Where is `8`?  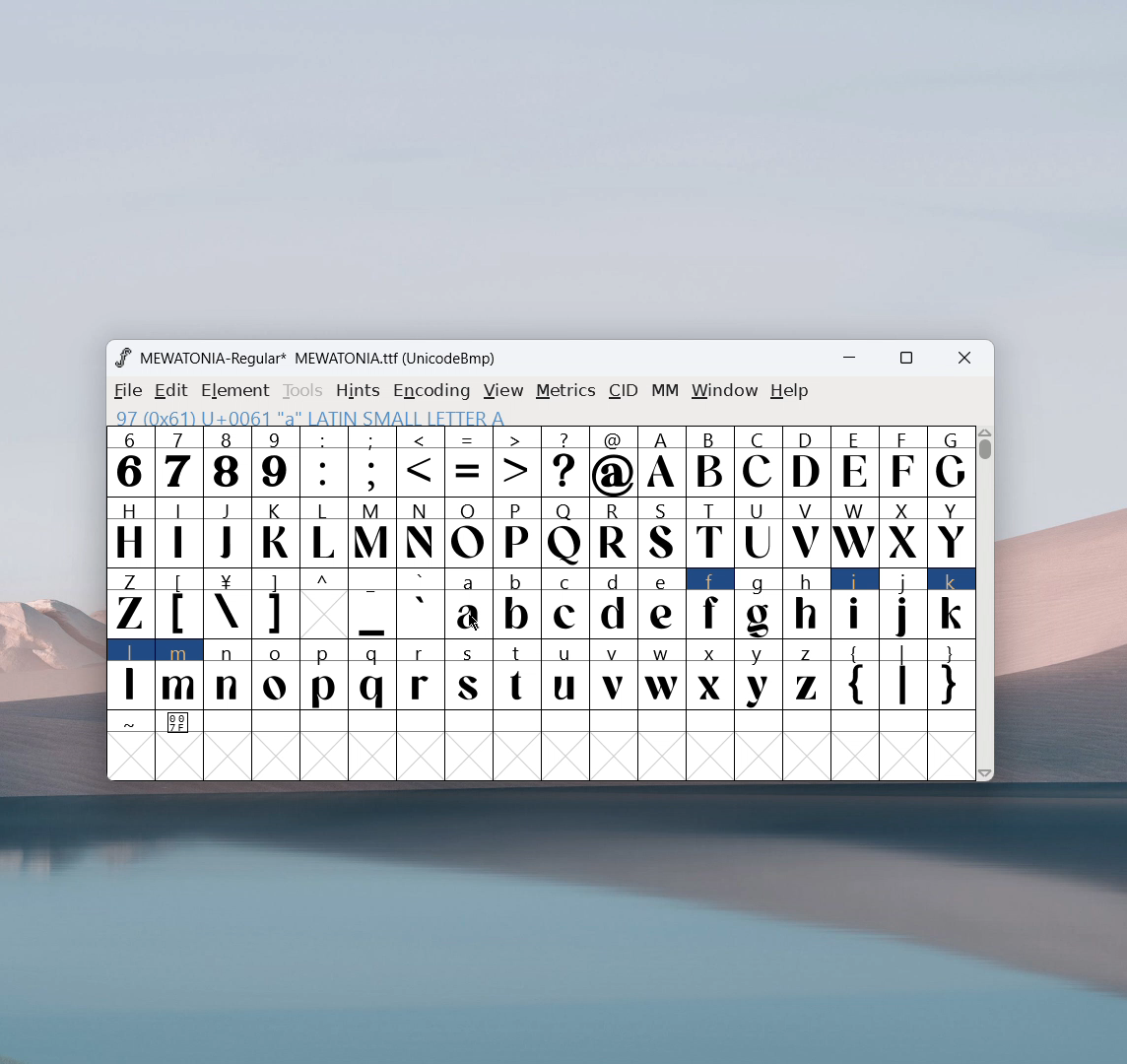 8 is located at coordinates (227, 461).